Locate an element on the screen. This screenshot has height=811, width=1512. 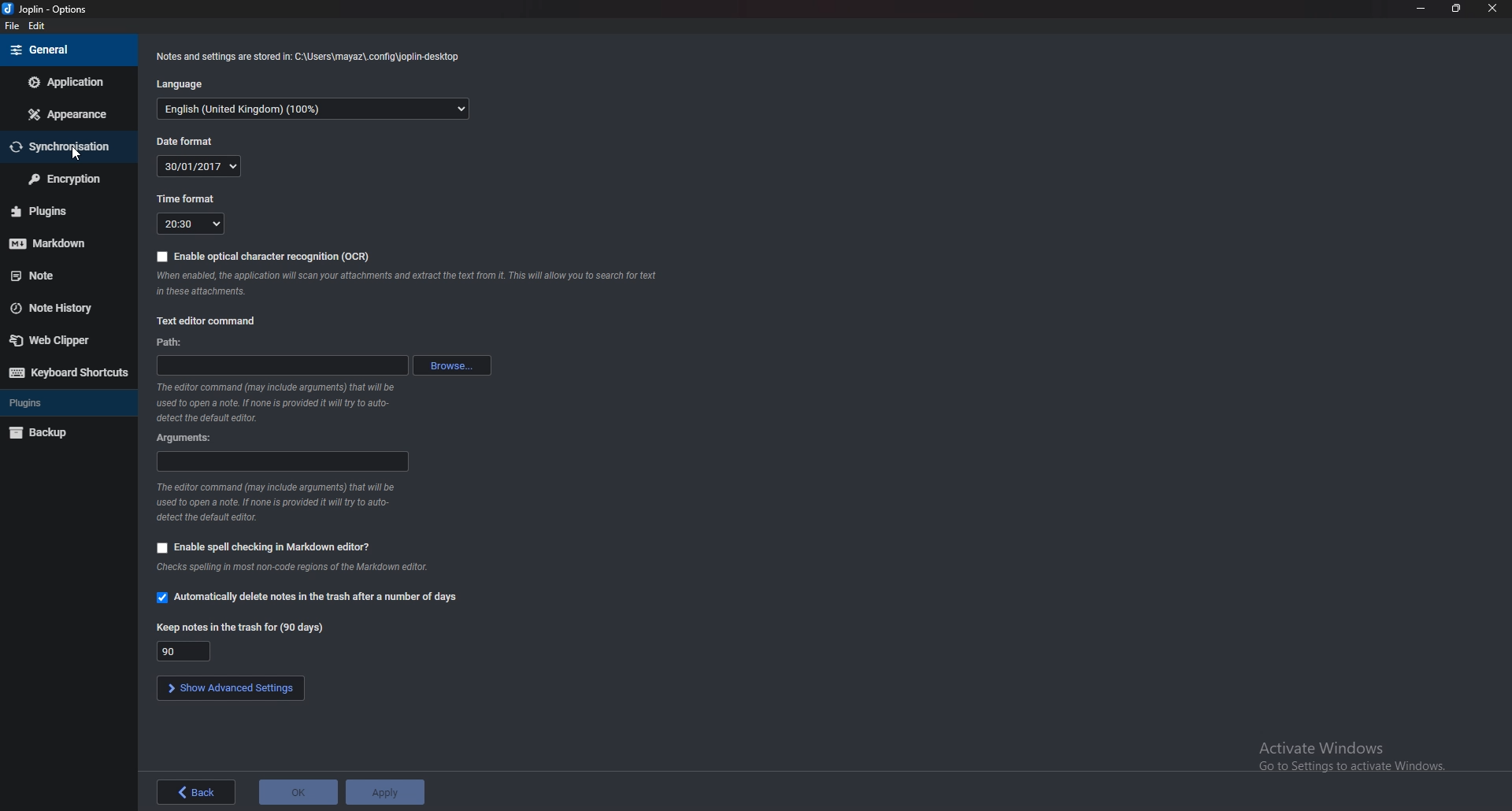
Activate Windows is located at coordinates (1359, 756).